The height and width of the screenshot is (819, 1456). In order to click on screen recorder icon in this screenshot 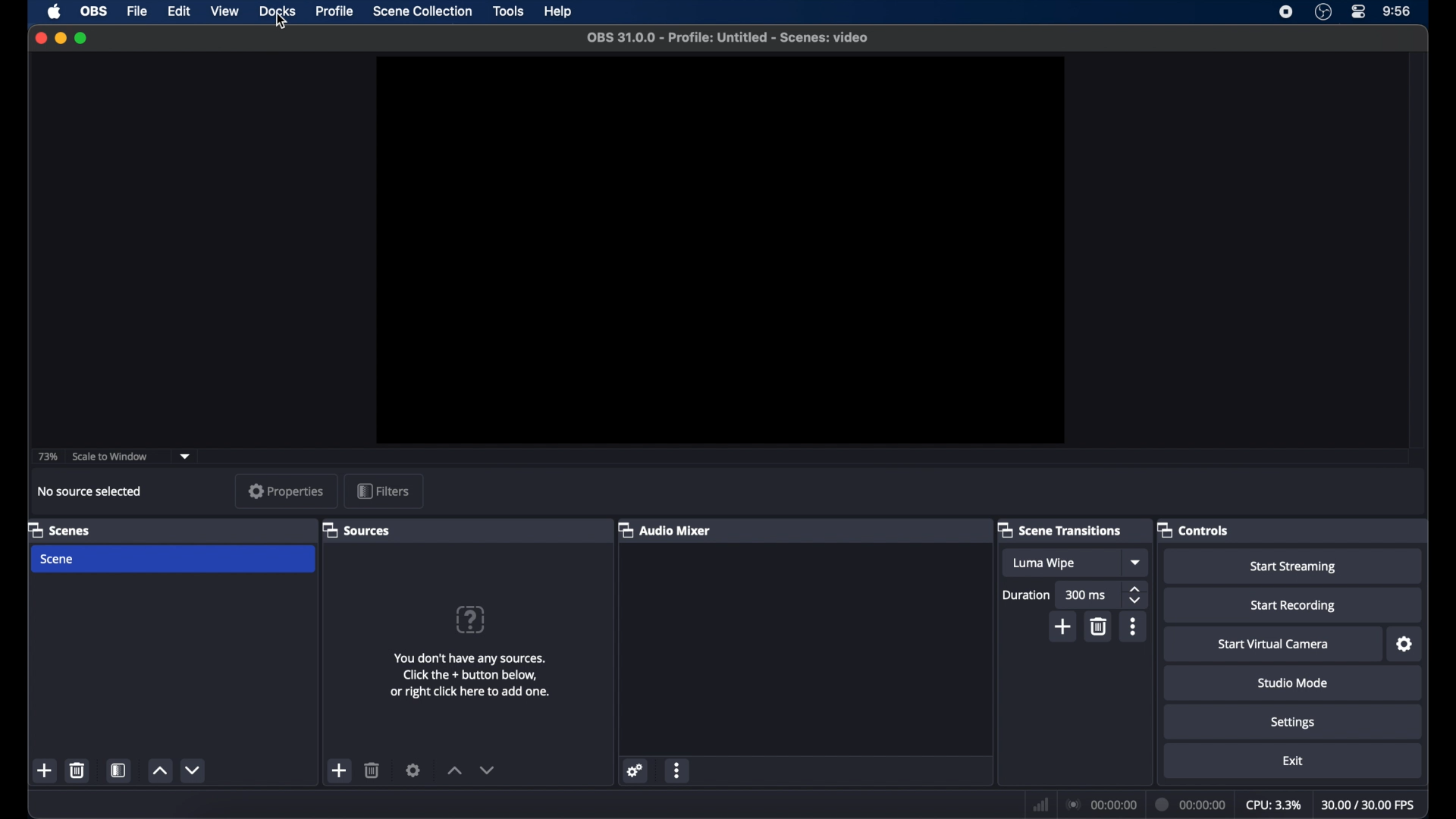, I will do `click(1285, 11)`.